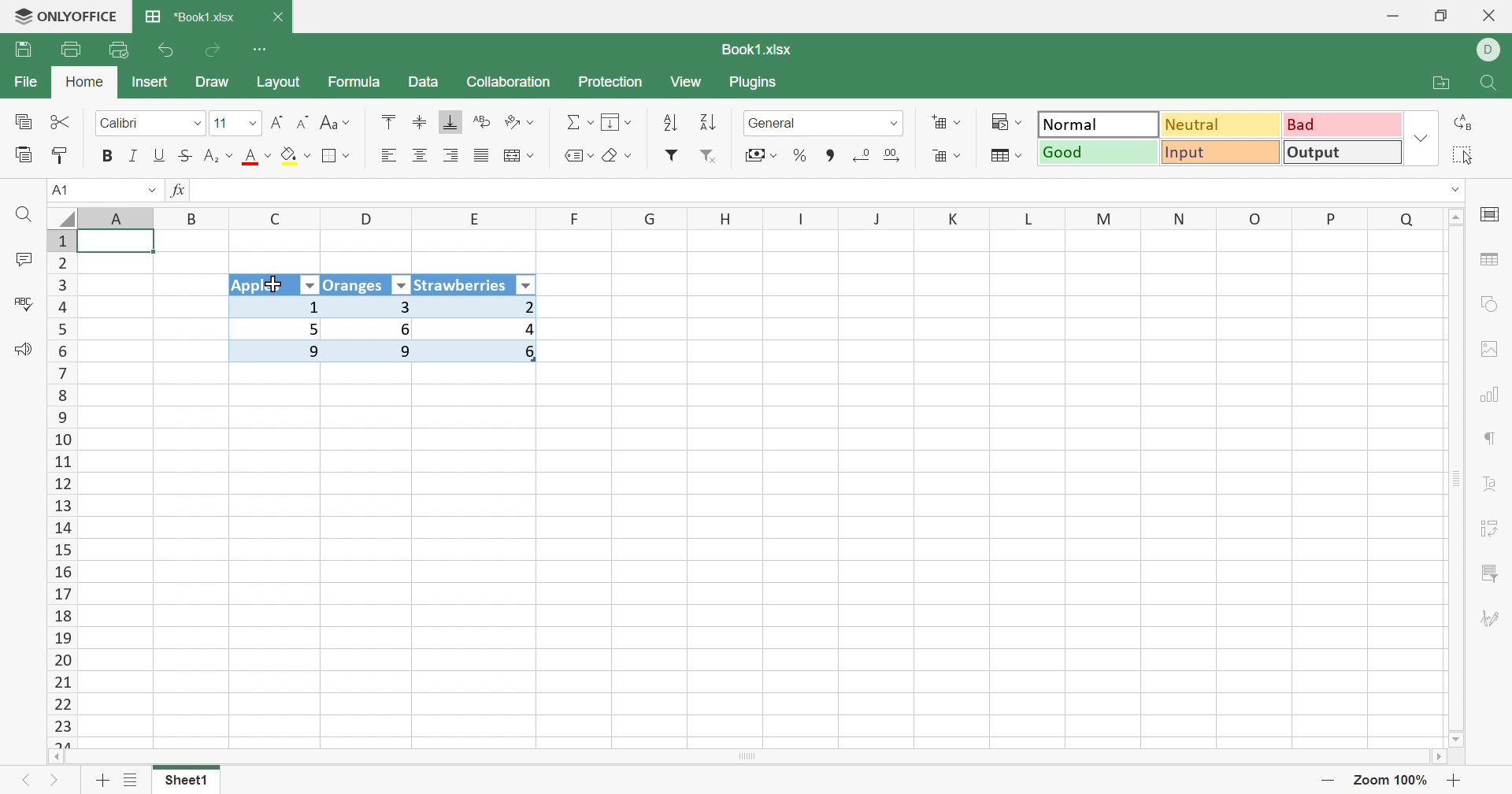 This screenshot has height=794, width=1512. Describe the element at coordinates (261, 47) in the screenshot. I see `Customize quick access toolbar` at that location.